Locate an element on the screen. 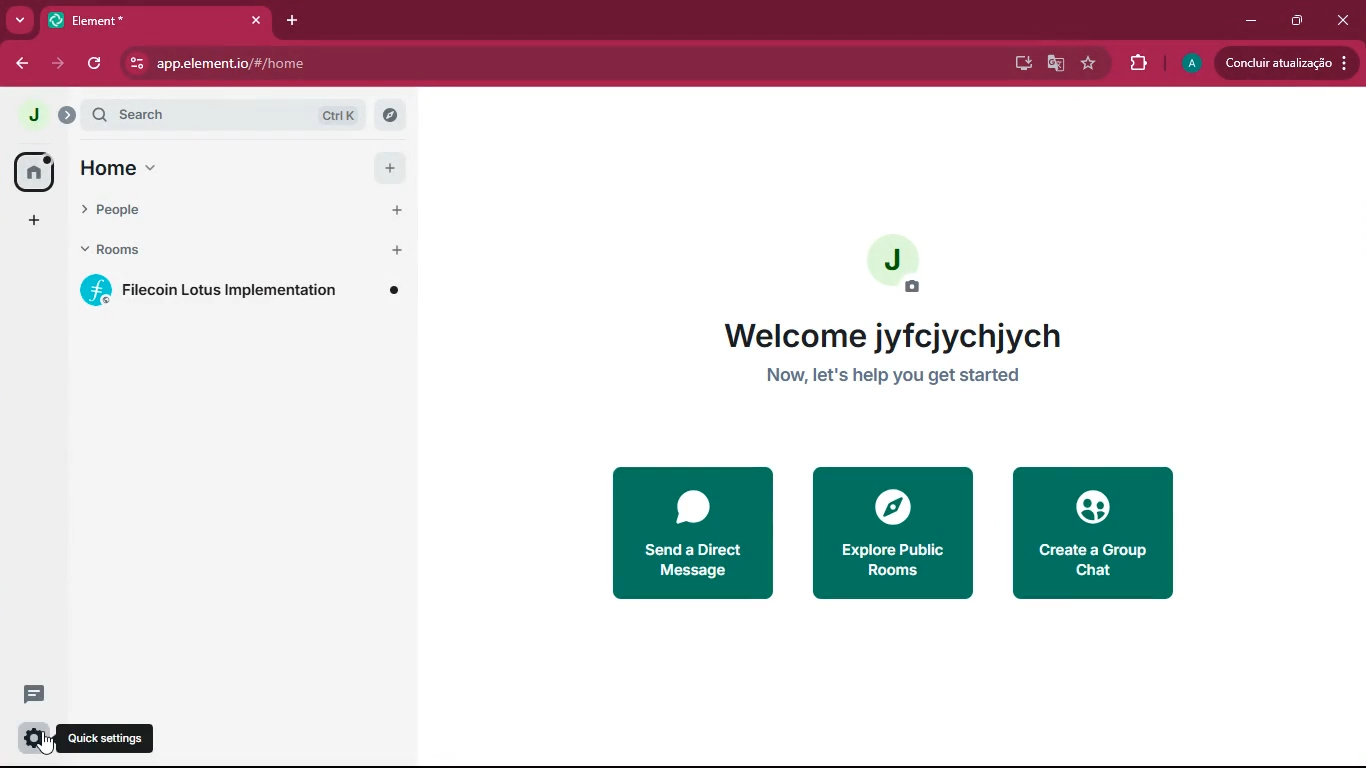 This screenshot has width=1366, height=768. desktop is located at coordinates (1015, 63).